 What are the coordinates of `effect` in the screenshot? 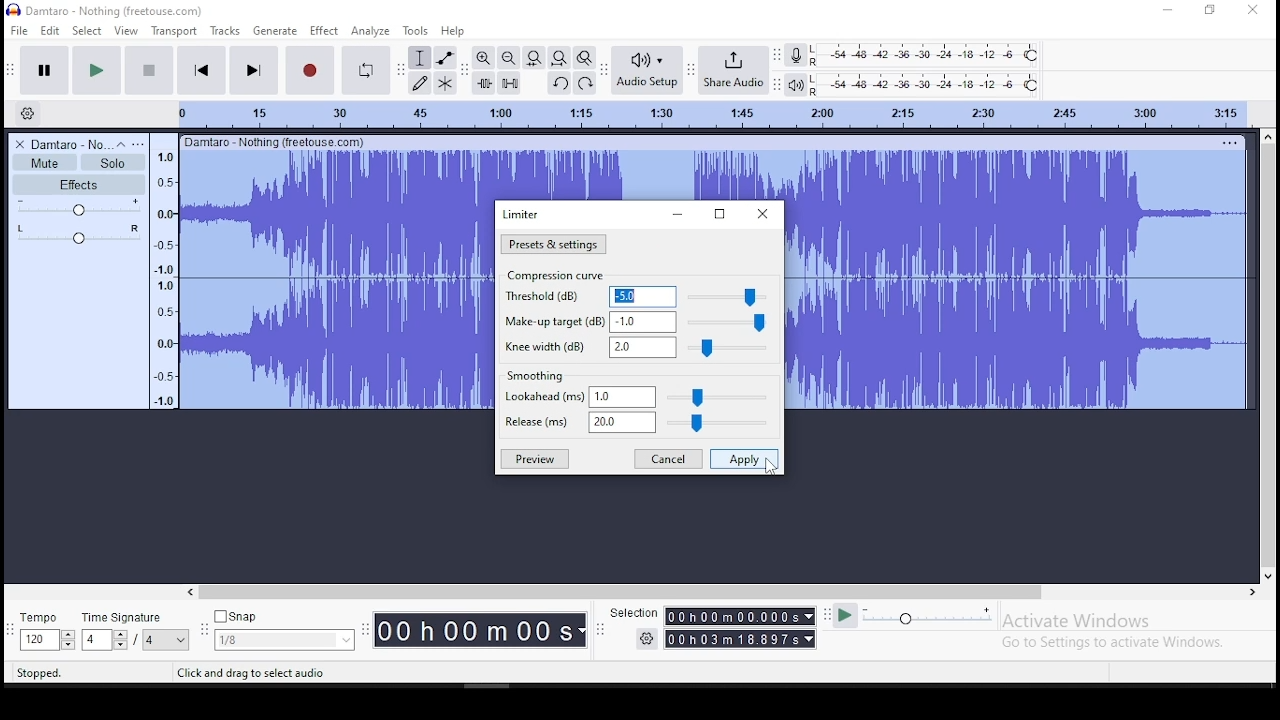 It's located at (324, 31).